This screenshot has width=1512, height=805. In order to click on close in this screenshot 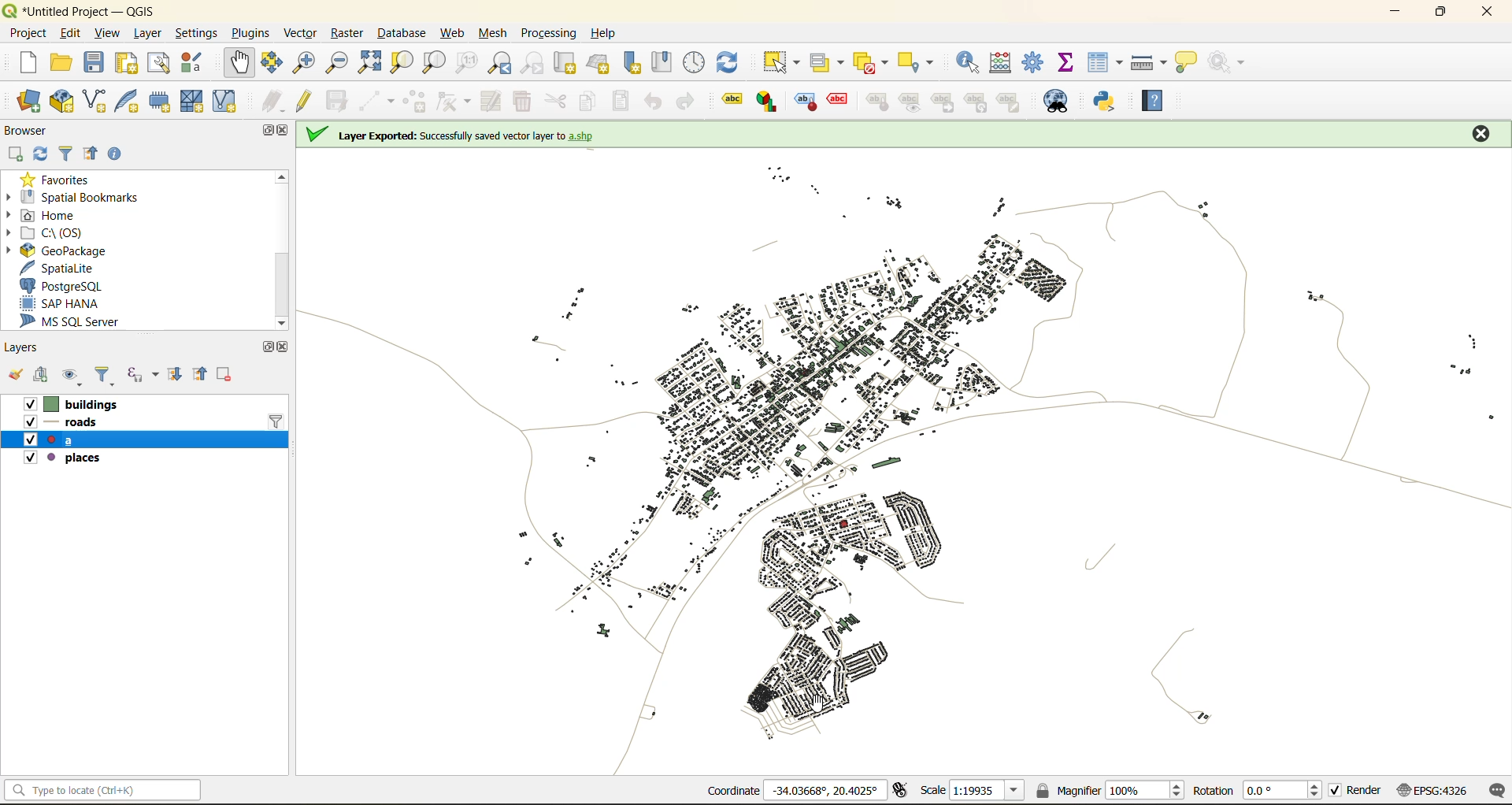, I will do `click(1480, 130)`.